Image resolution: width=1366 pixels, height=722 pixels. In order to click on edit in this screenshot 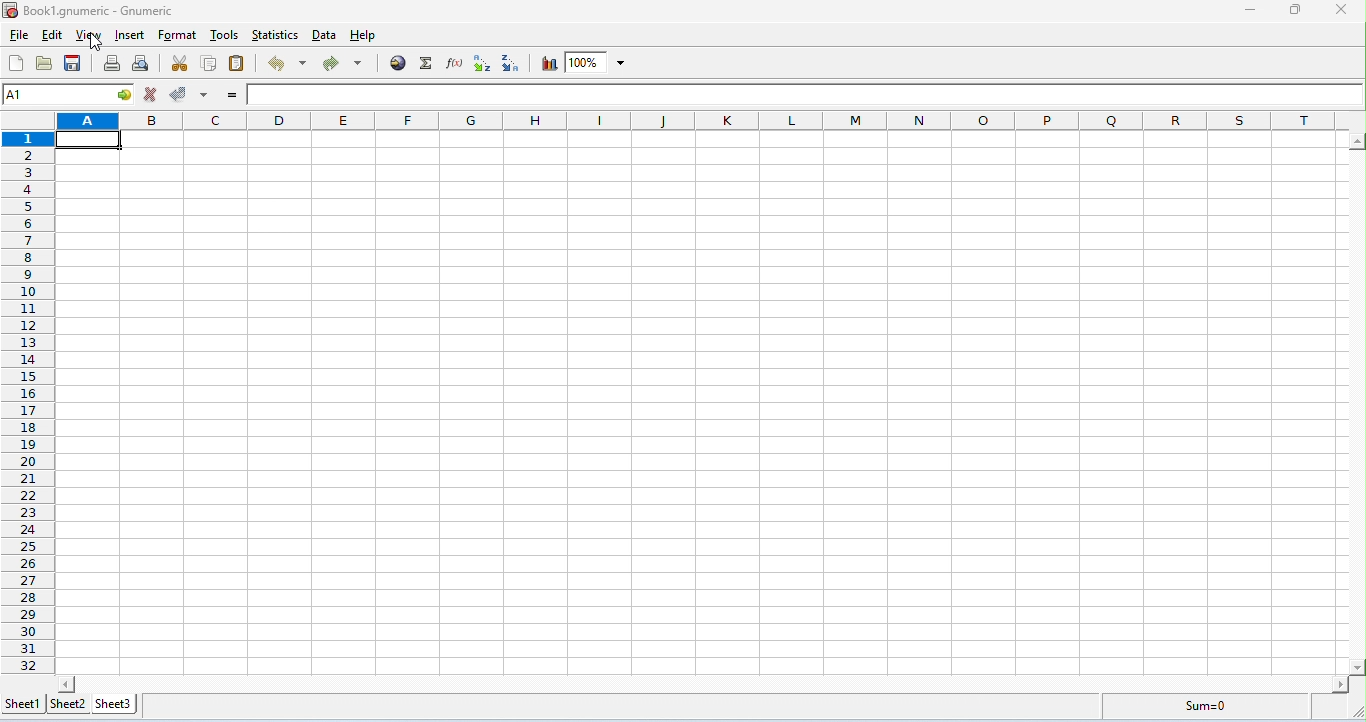, I will do `click(52, 36)`.